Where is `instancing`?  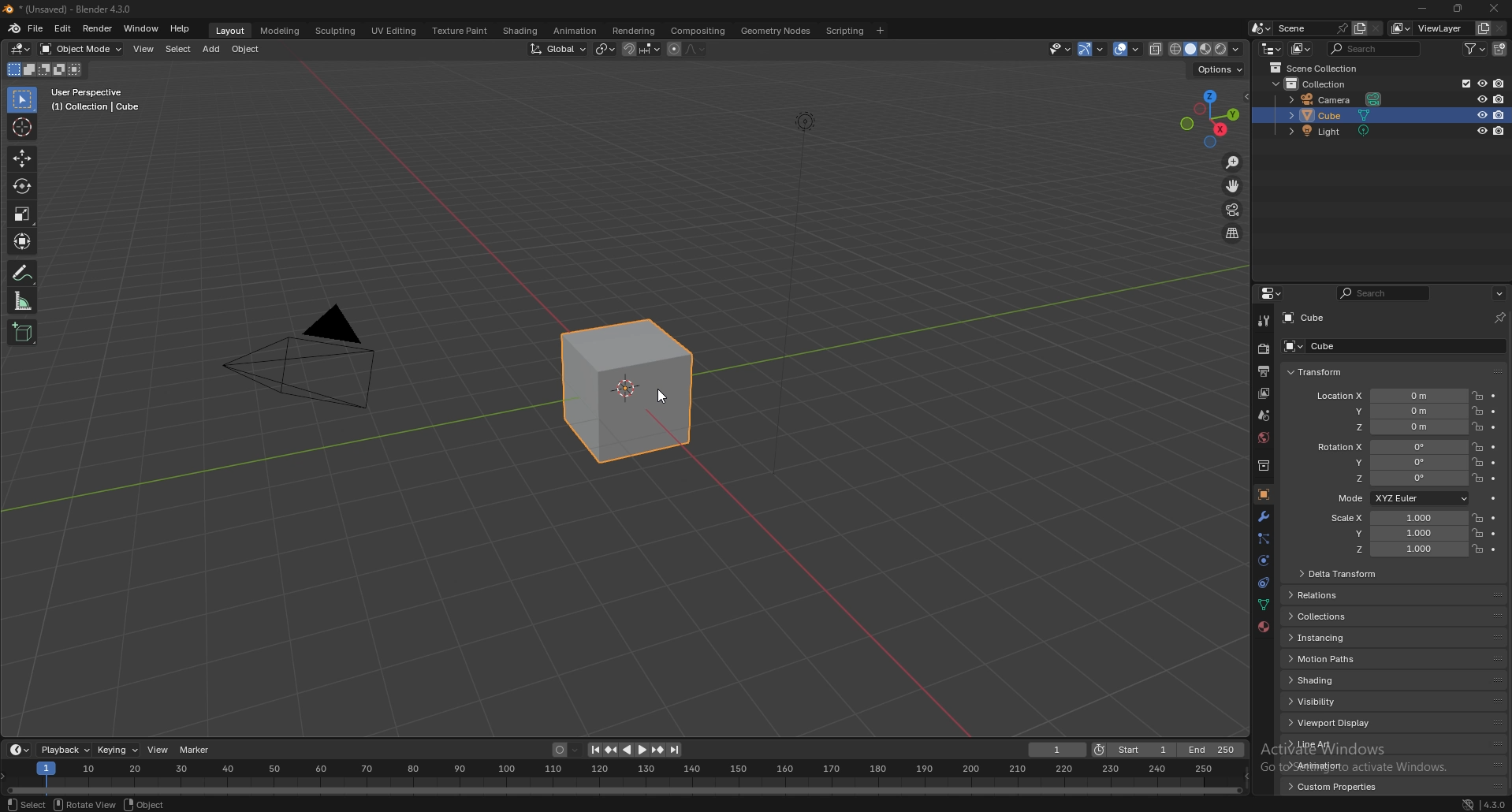
instancing is located at coordinates (1350, 637).